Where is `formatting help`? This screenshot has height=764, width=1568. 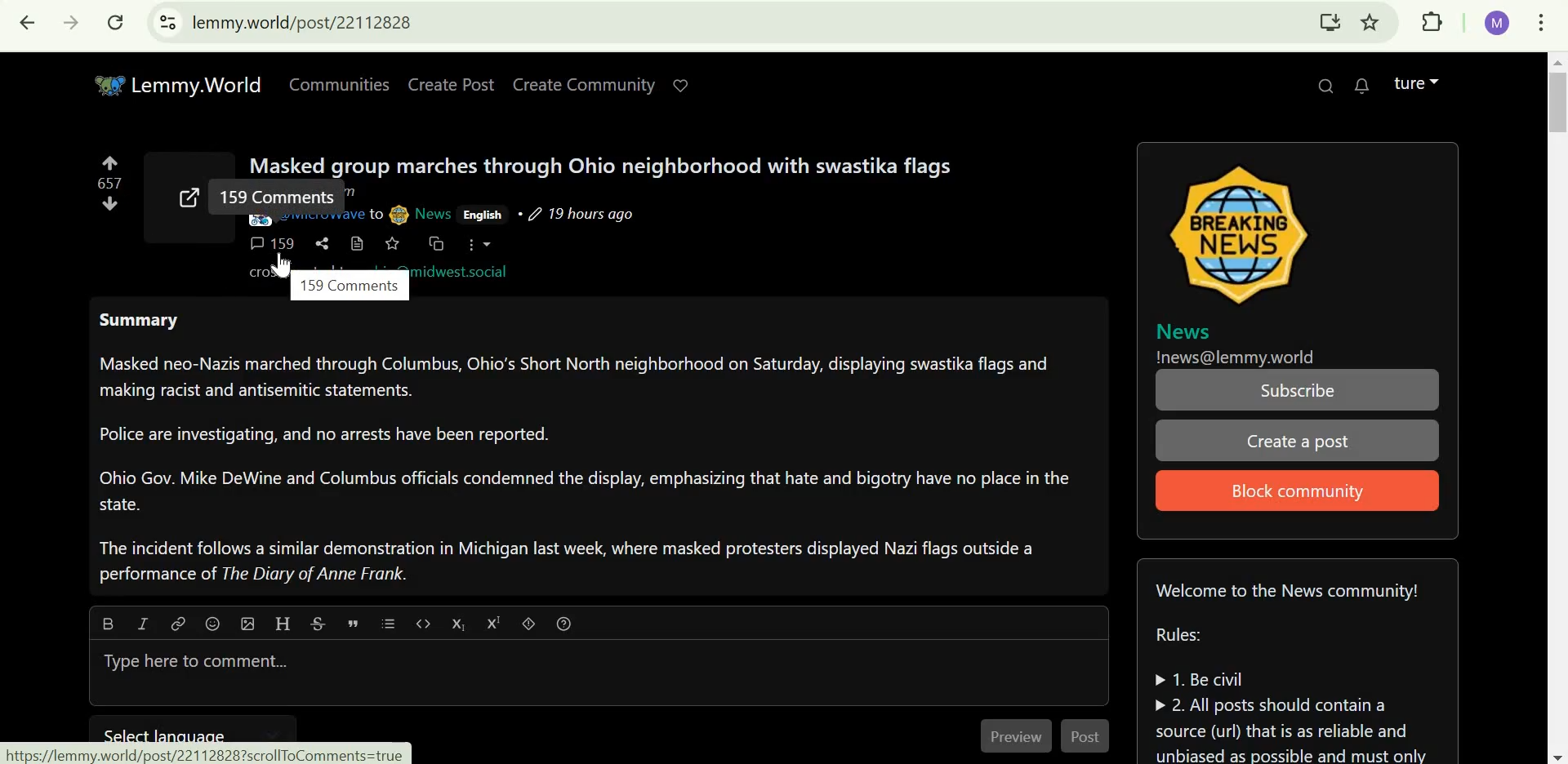
formatting help is located at coordinates (565, 624).